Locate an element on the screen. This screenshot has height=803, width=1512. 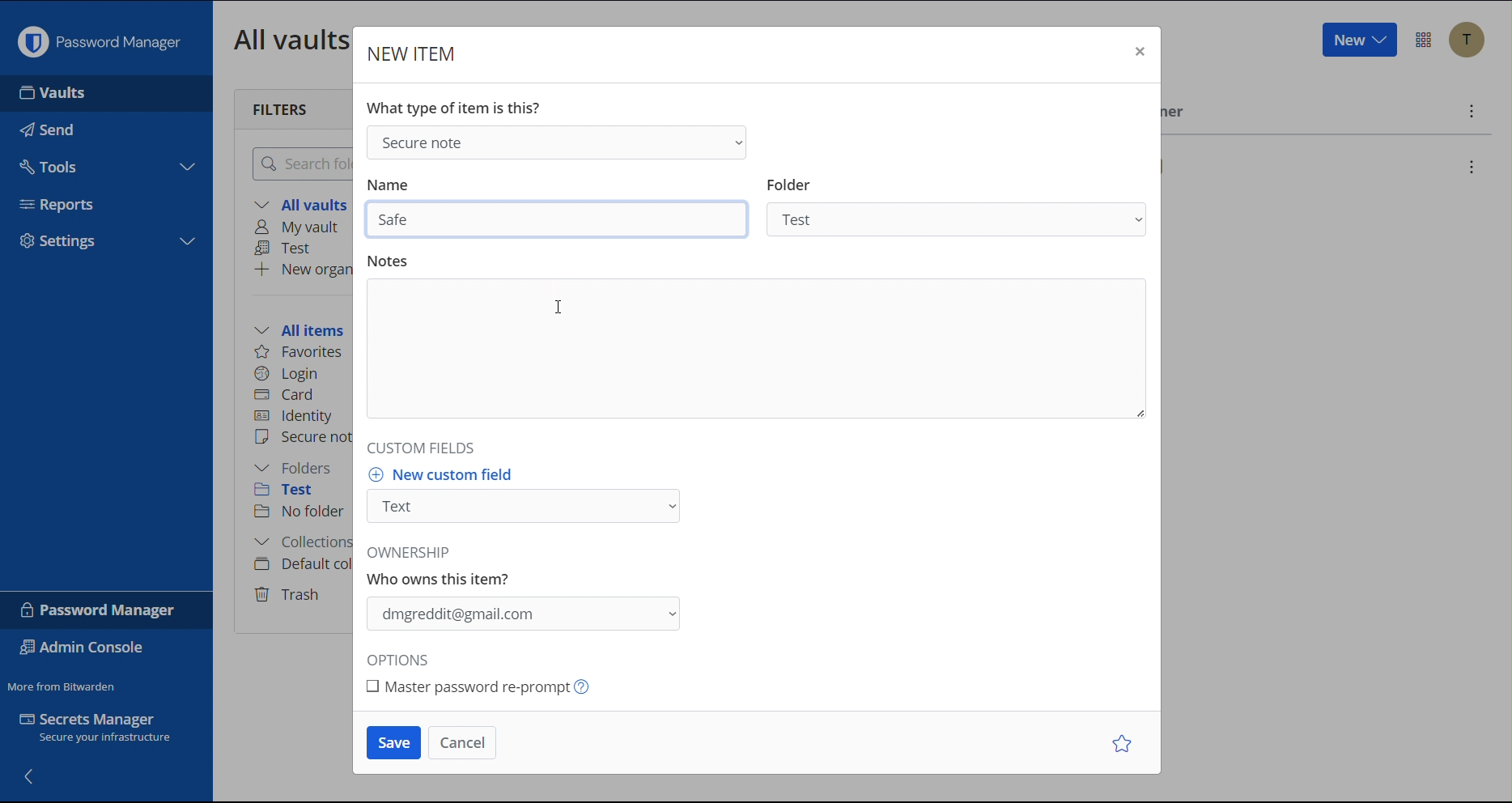
Tools is located at coordinates (104, 164).